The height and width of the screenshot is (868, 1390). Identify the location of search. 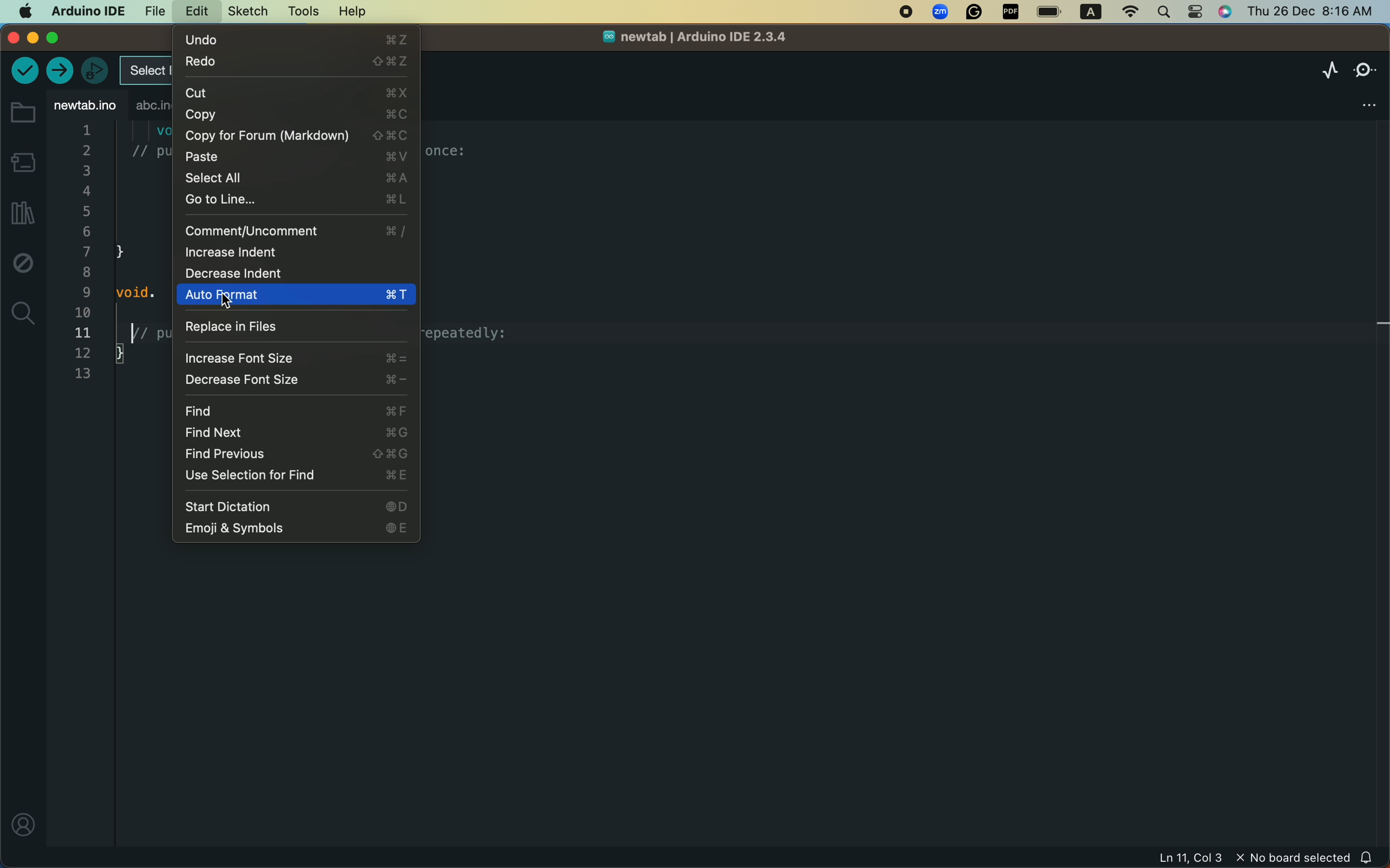
(1164, 11).